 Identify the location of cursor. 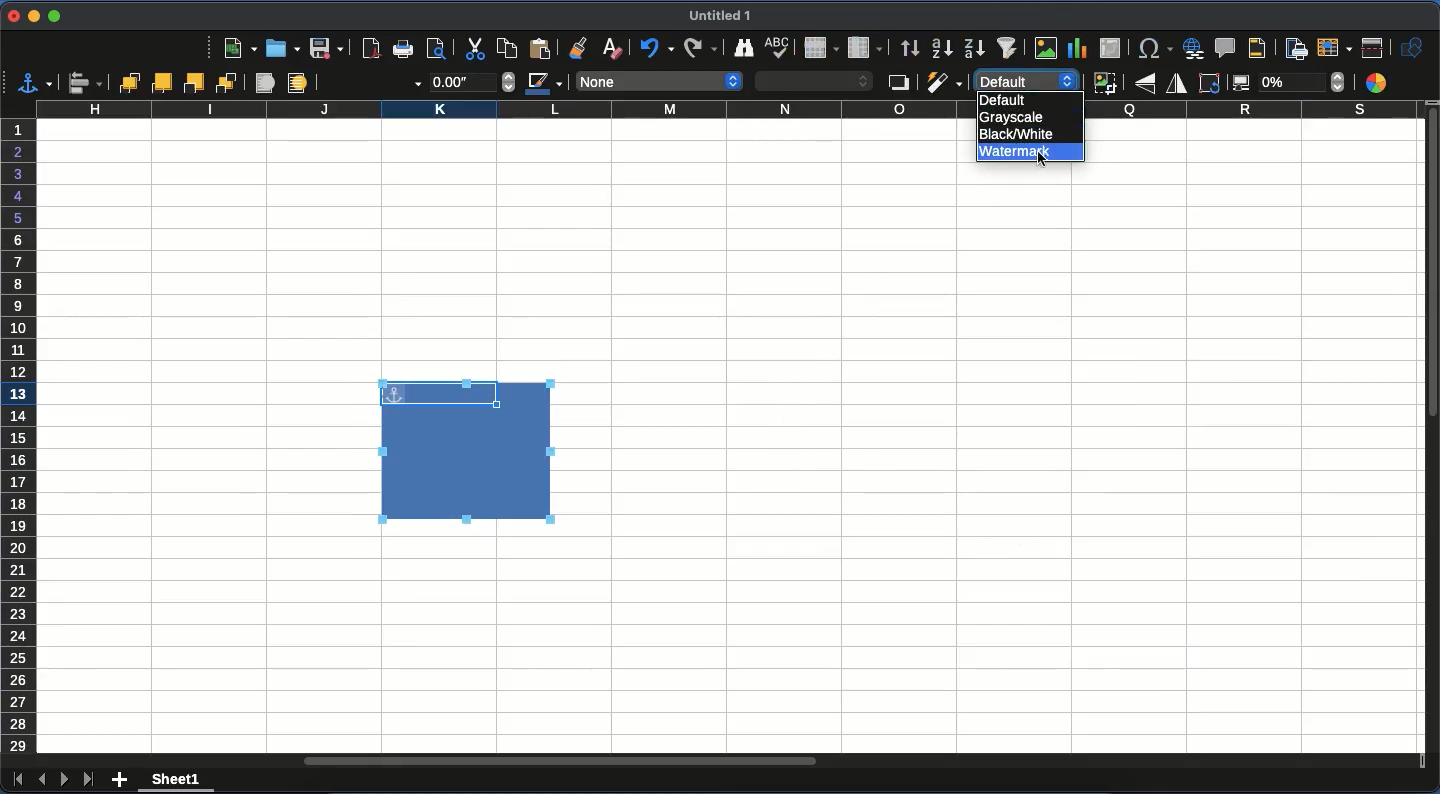
(1044, 164).